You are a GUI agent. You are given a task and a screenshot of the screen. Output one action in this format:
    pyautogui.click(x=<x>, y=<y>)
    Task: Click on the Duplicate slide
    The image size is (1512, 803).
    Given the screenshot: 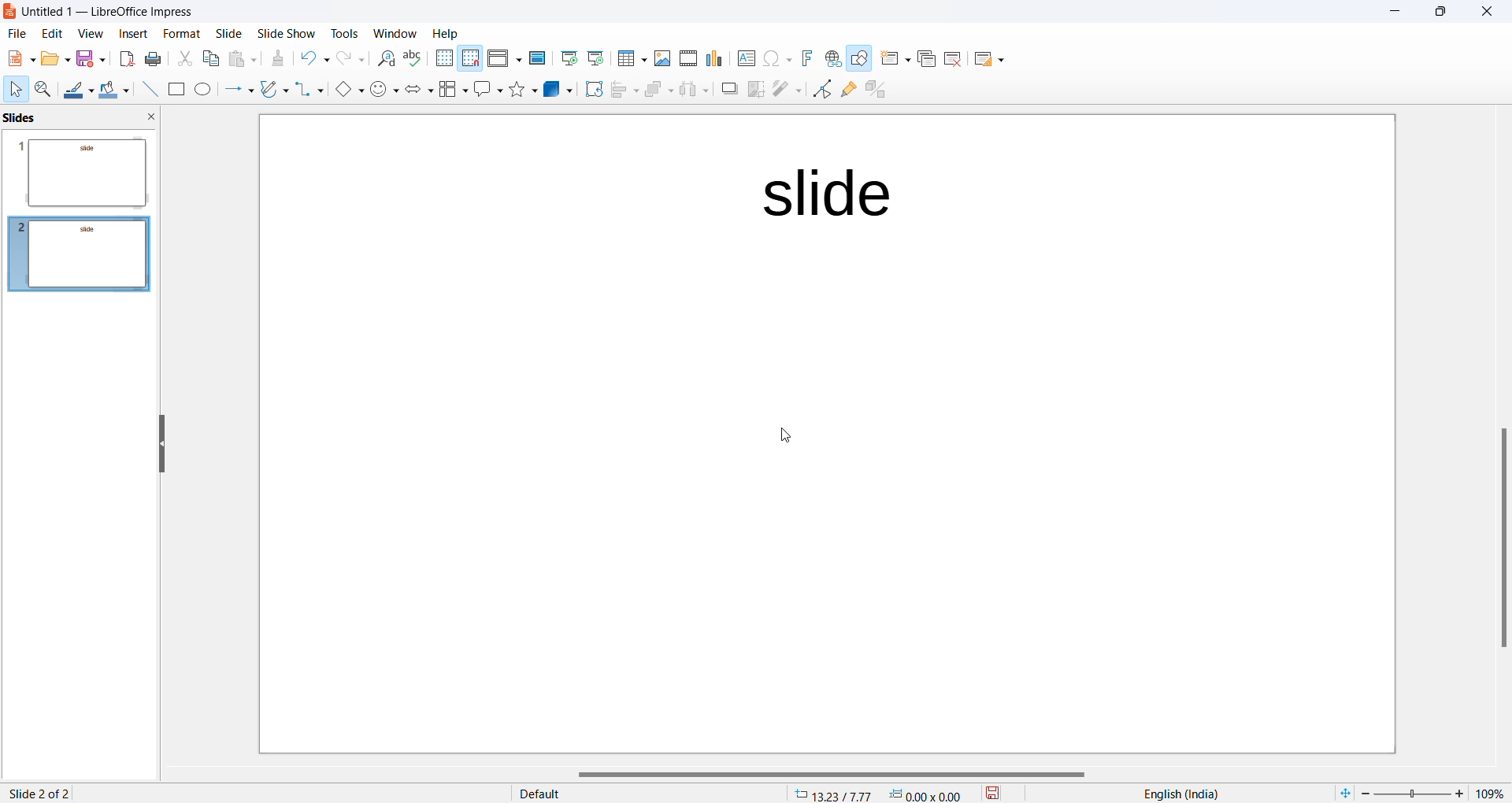 What is the action you would take?
    pyautogui.click(x=924, y=61)
    